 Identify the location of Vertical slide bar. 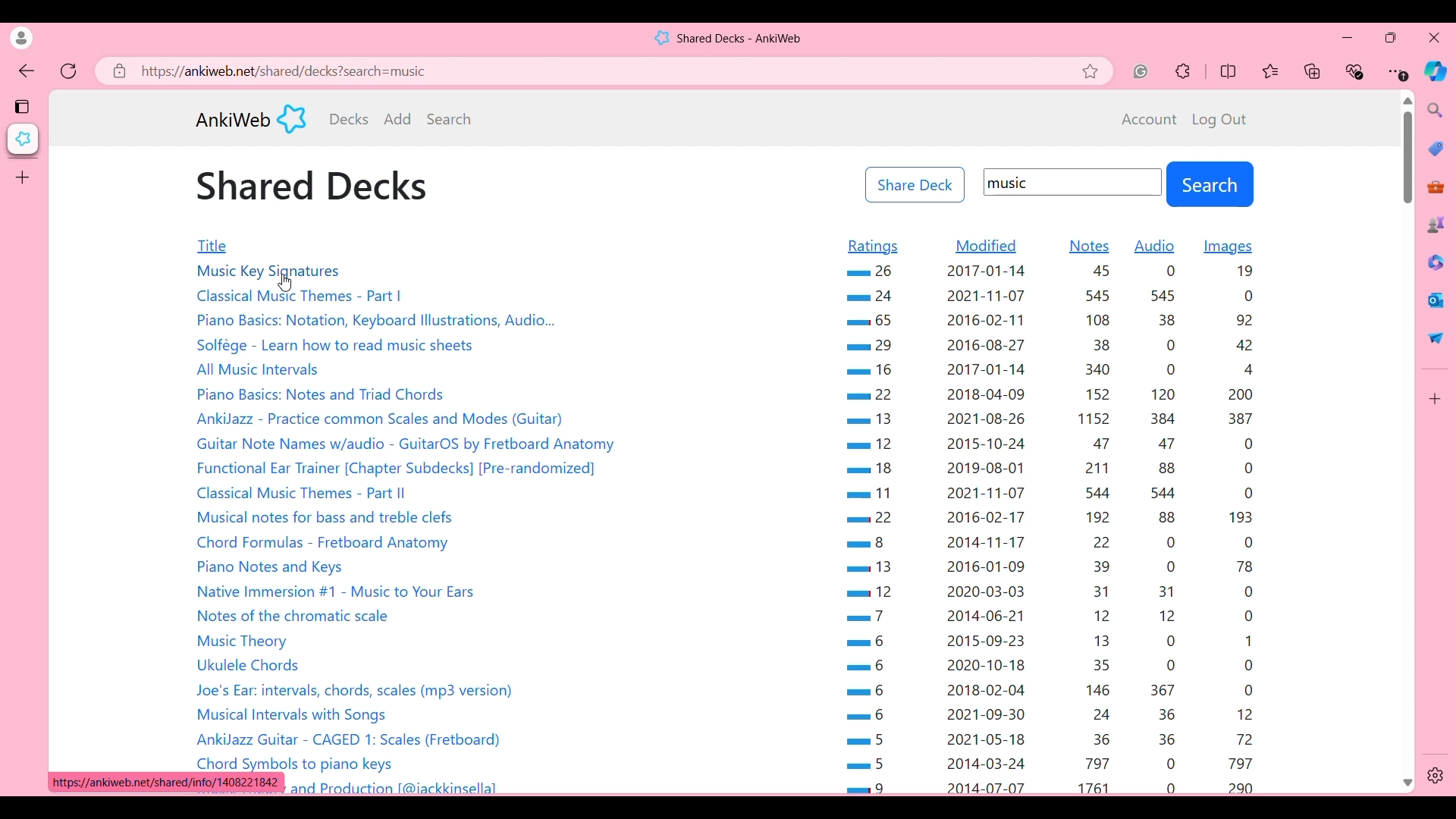
(1407, 158).